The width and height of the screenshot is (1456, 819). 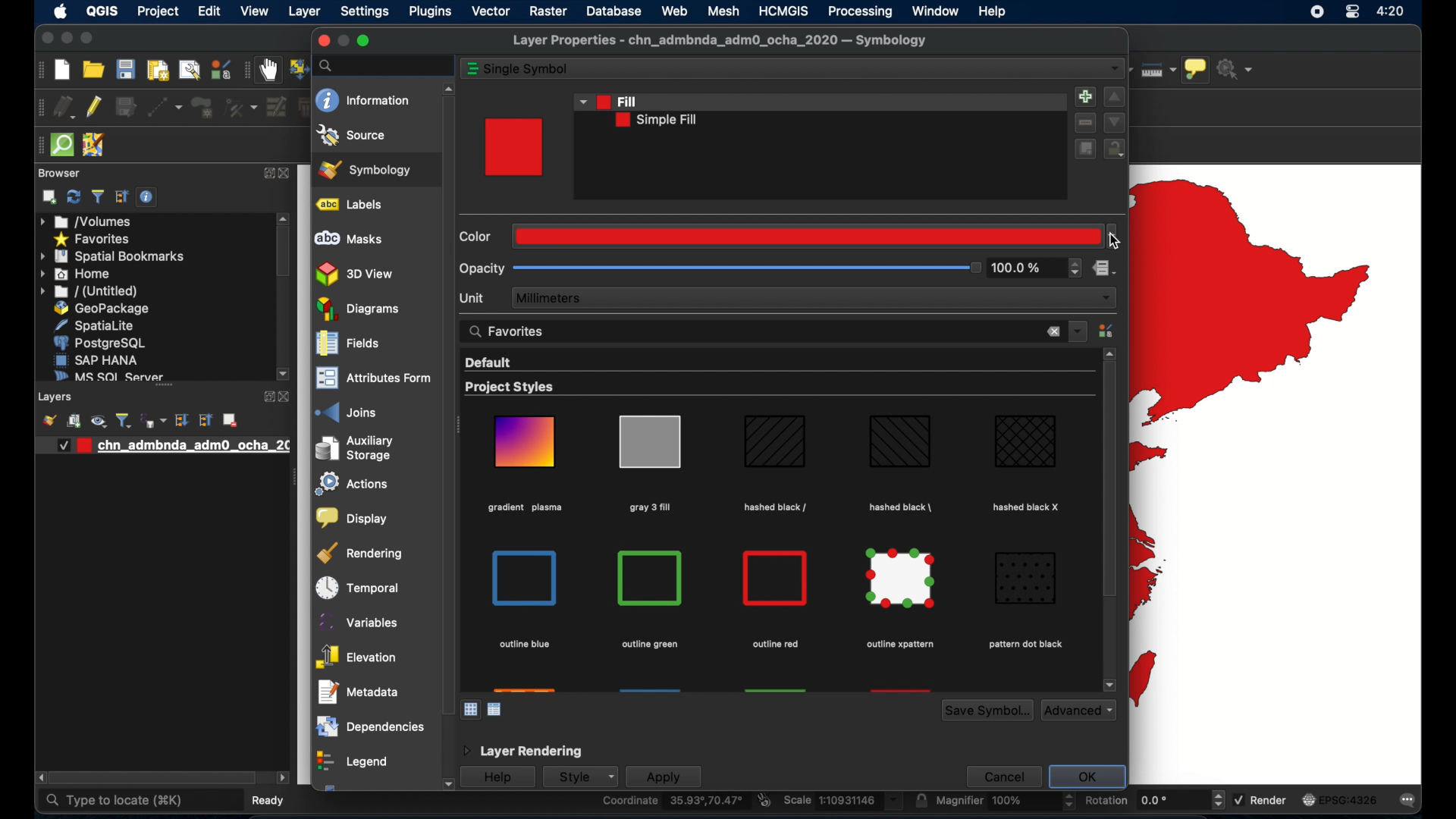 I want to click on raster, so click(x=548, y=13).